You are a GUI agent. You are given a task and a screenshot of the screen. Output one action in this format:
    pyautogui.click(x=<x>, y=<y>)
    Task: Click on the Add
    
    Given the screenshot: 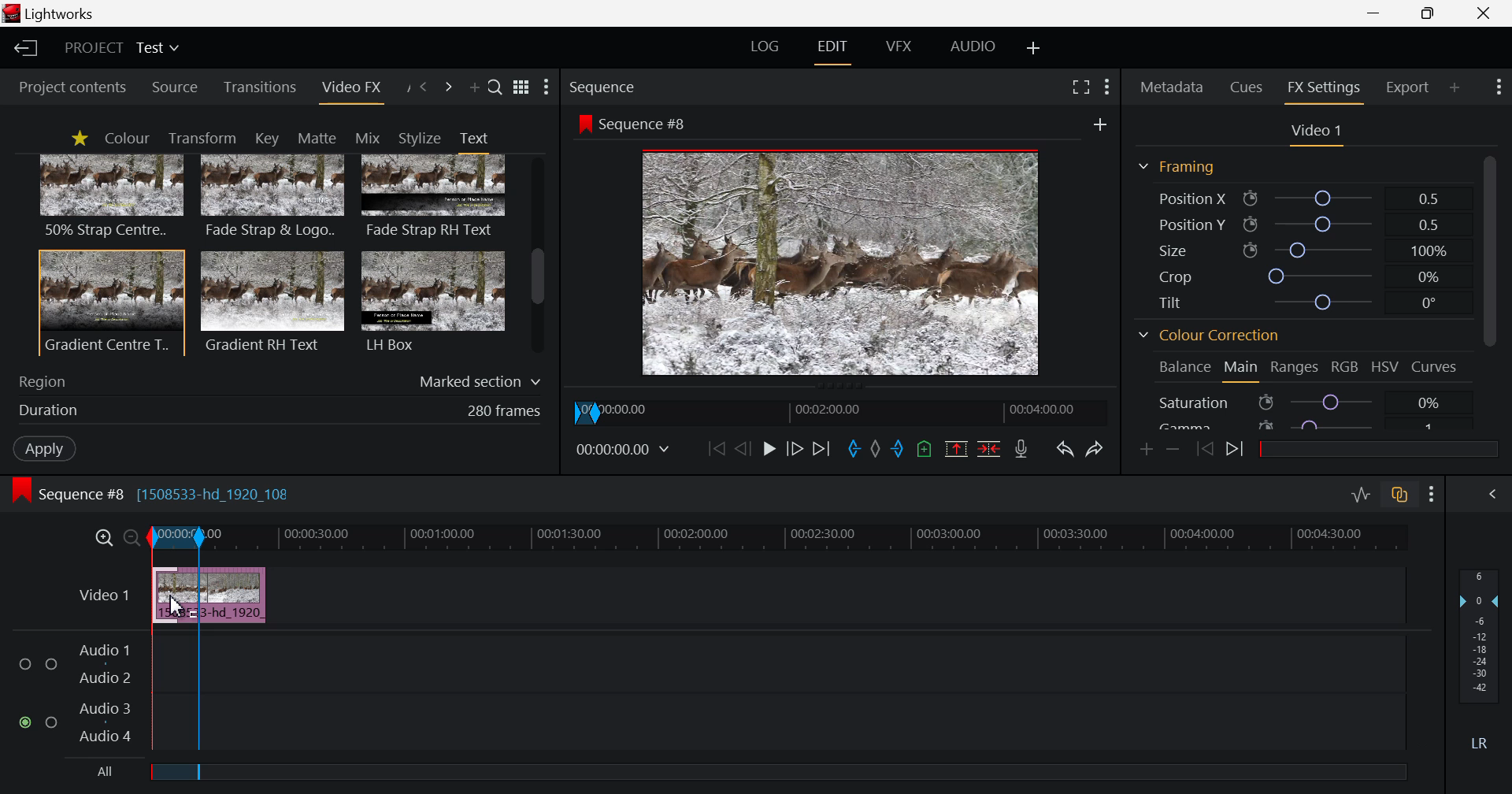 What is the action you would take?
    pyautogui.click(x=1095, y=123)
    